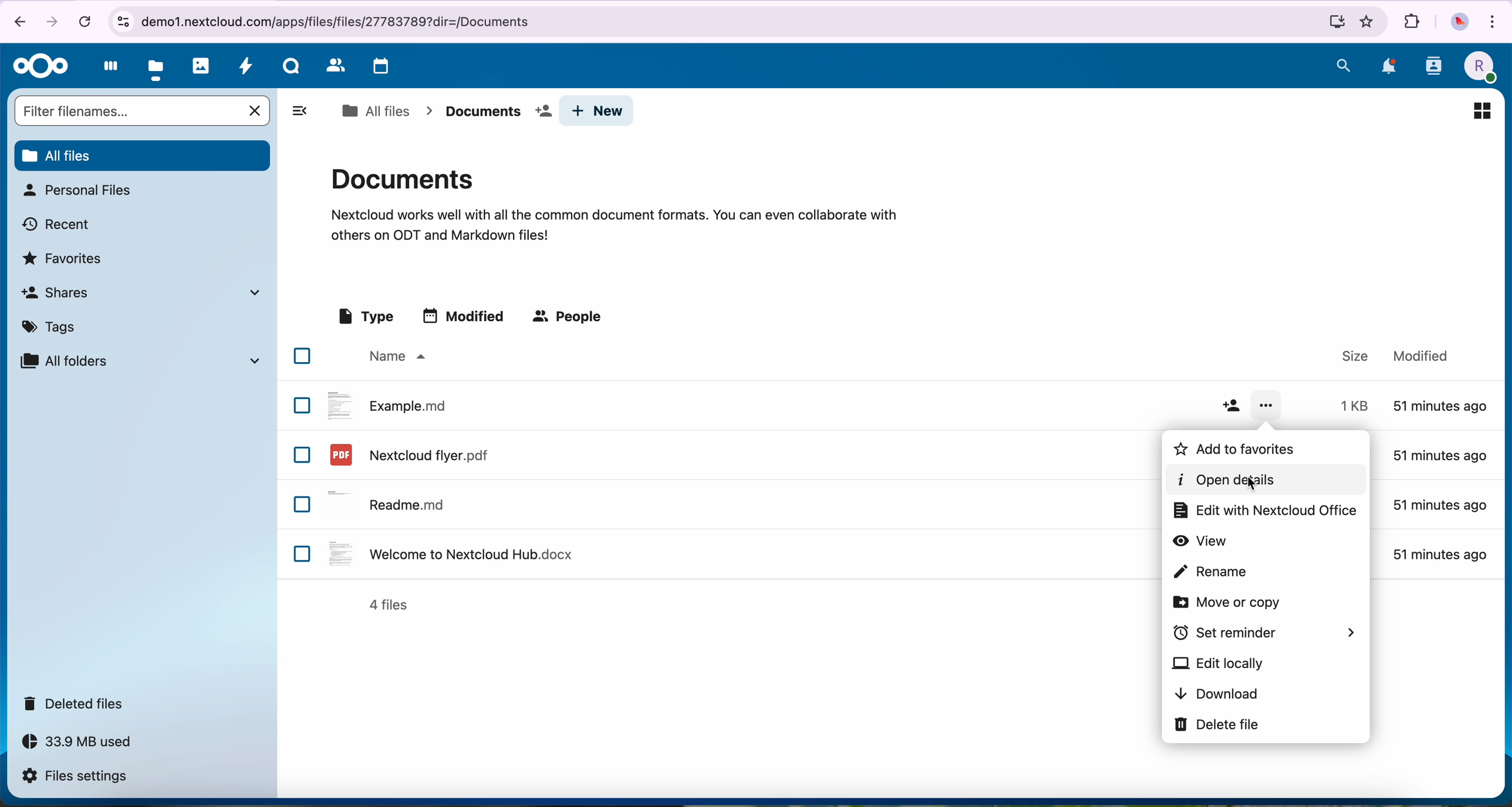 The image size is (1512, 807). I want to click on profile picture, so click(1458, 22).